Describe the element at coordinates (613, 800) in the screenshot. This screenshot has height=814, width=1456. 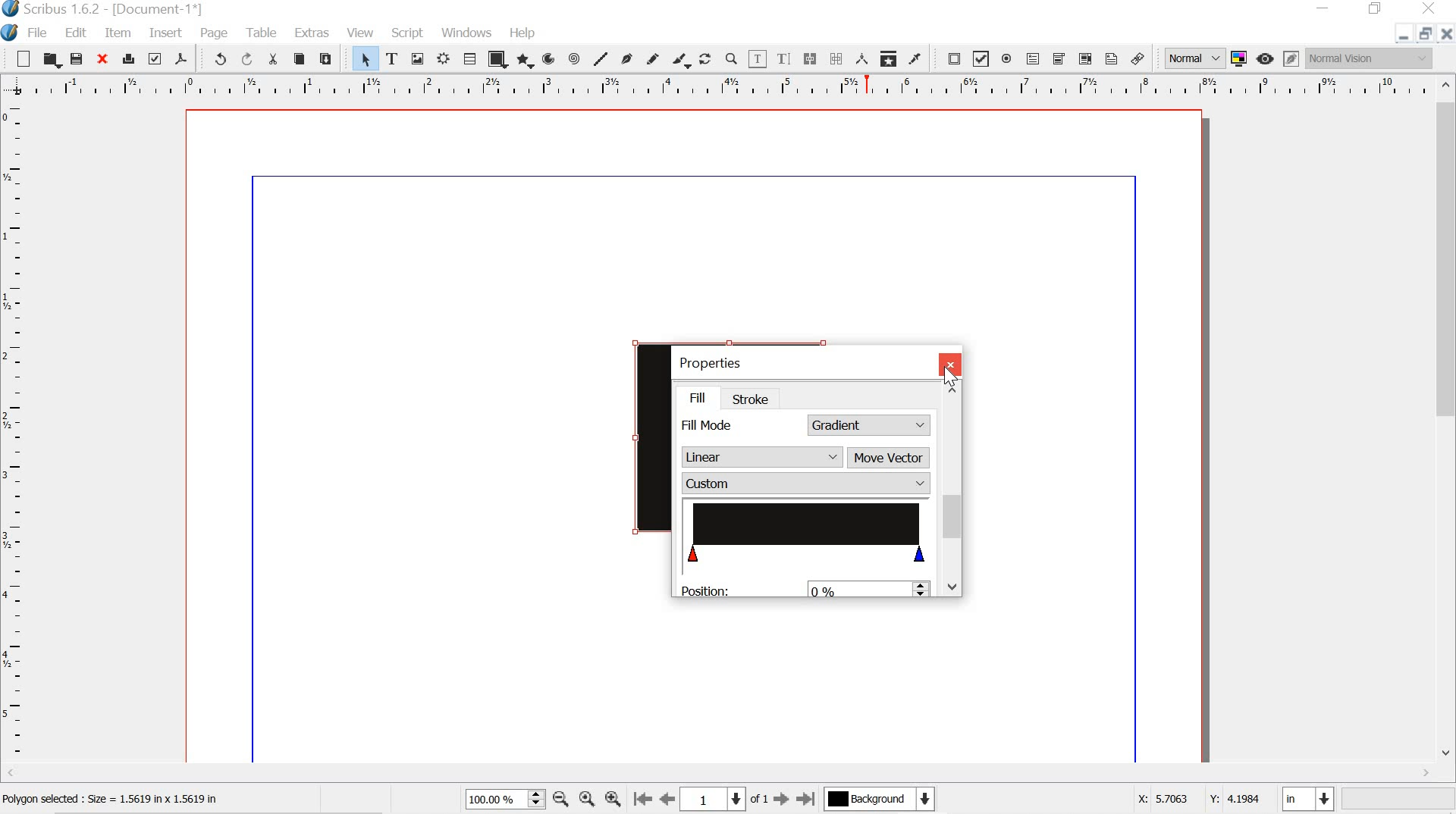
I see `zoom in` at that location.